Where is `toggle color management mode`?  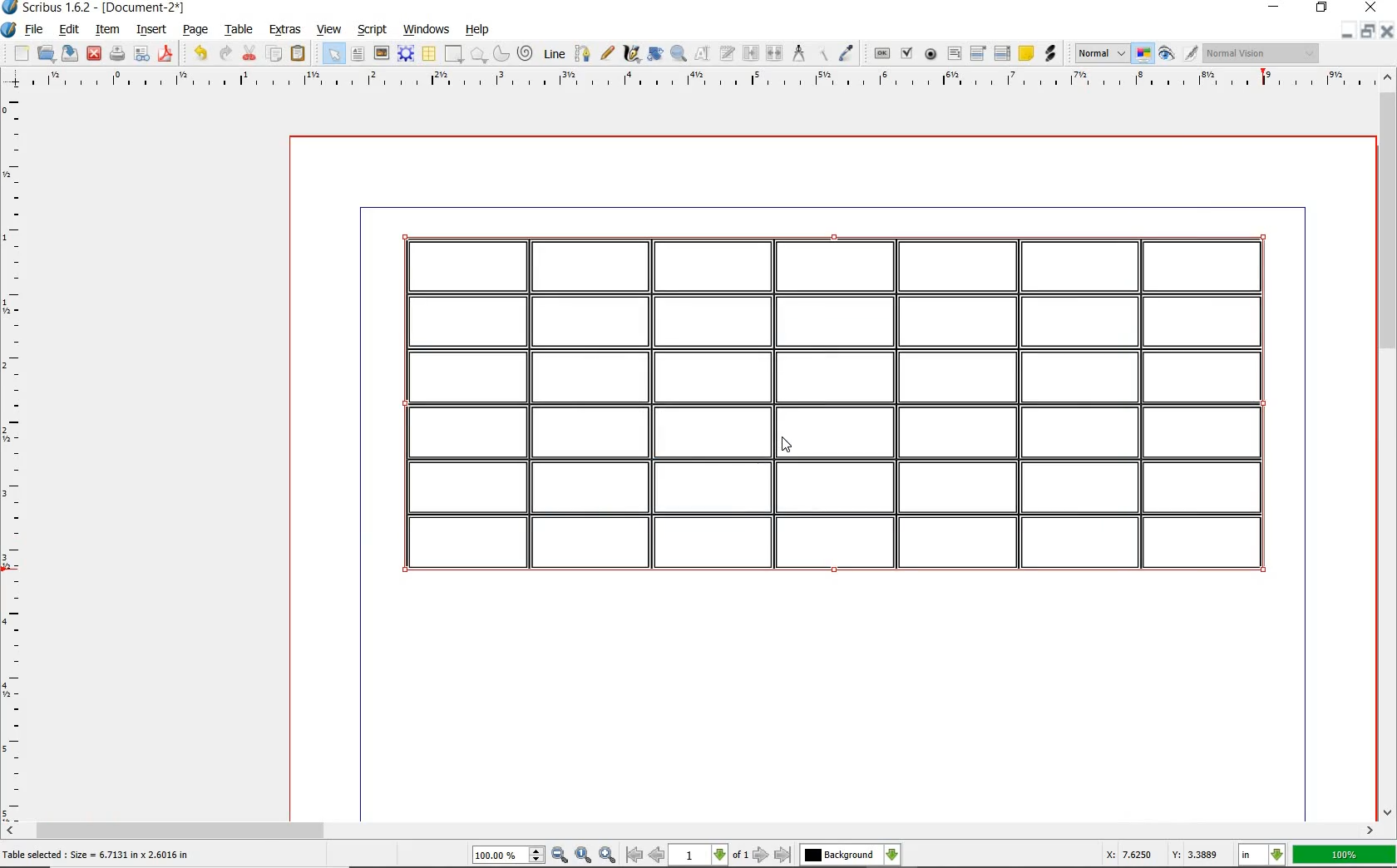
toggle color management mode is located at coordinates (1142, 53).